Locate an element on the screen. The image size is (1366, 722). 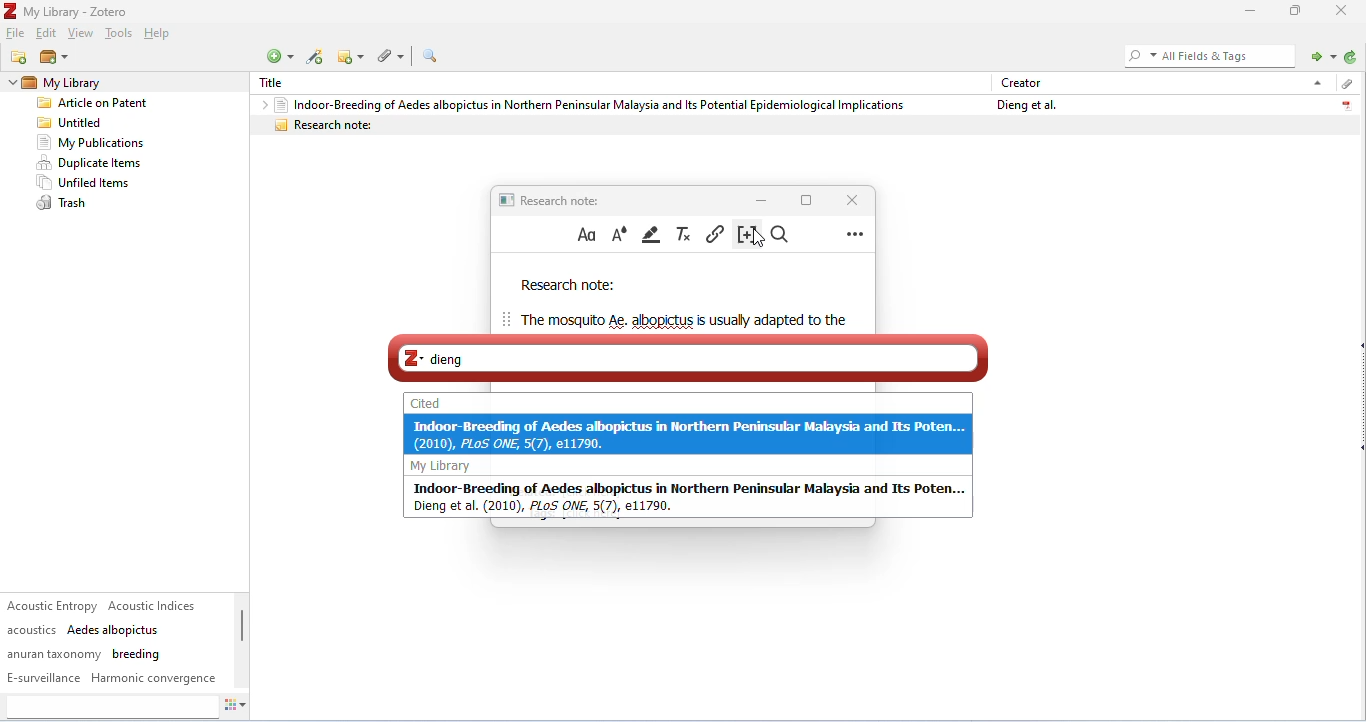
insert citation is located at coordinates (744, 235).